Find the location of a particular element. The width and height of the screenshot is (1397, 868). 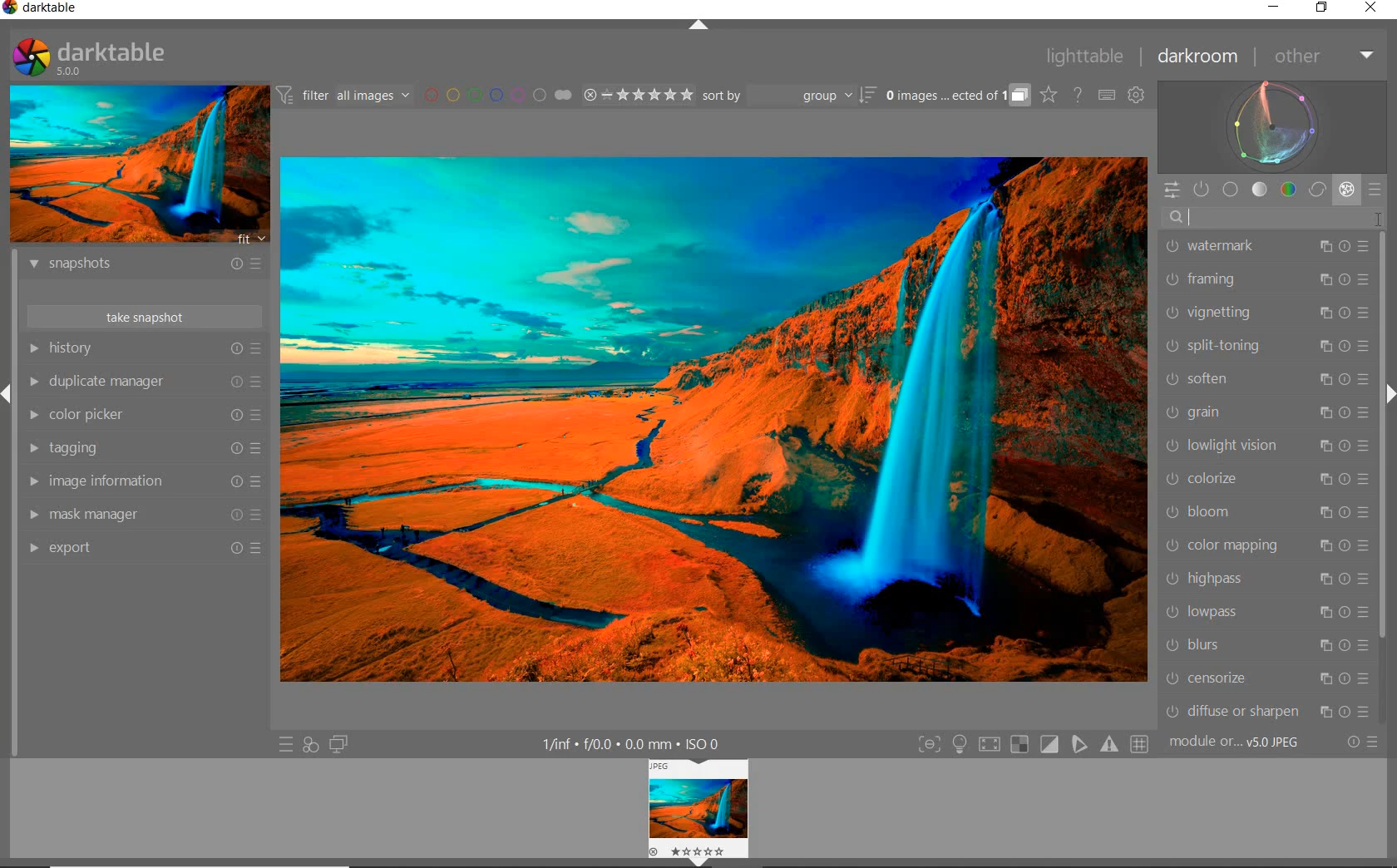

censorize is located at coordinates (1267, 678).